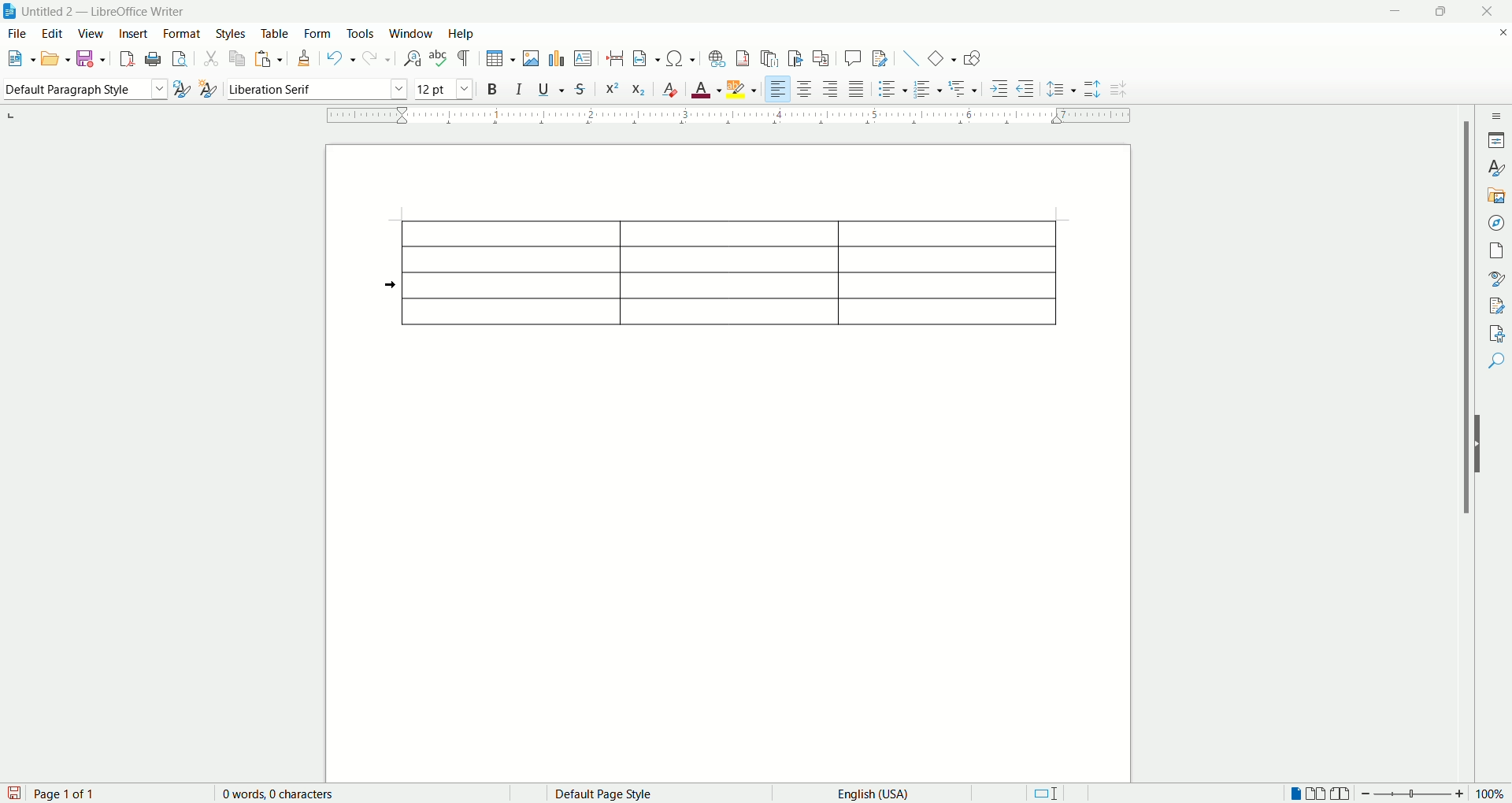  I want to click on form, so click(320, 35).